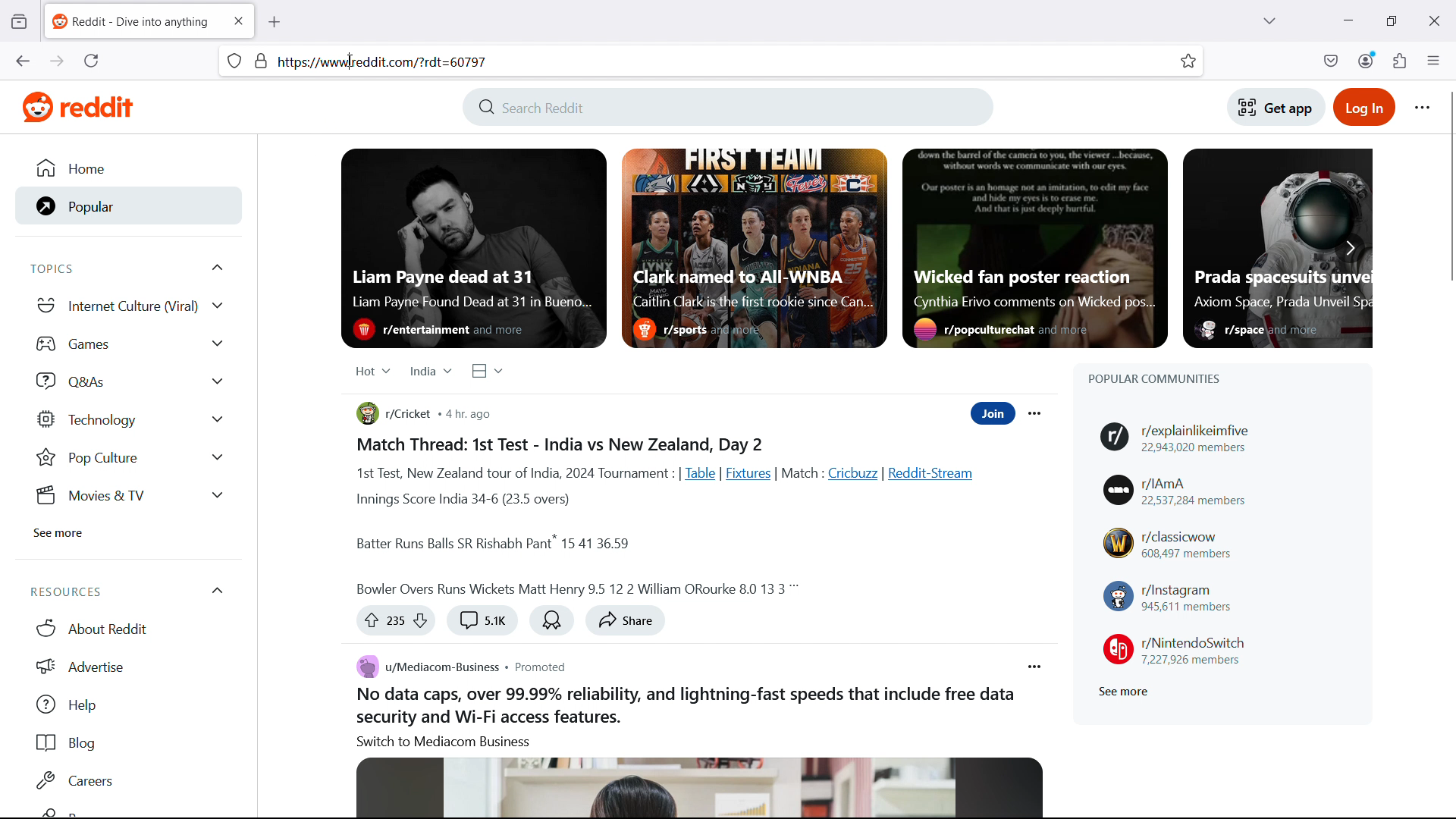 This screenshot has width=1456, height=819. What do you see at coordinates (722, 61) in the screenshot?
I see `url space` at bounding box center [722, 61].